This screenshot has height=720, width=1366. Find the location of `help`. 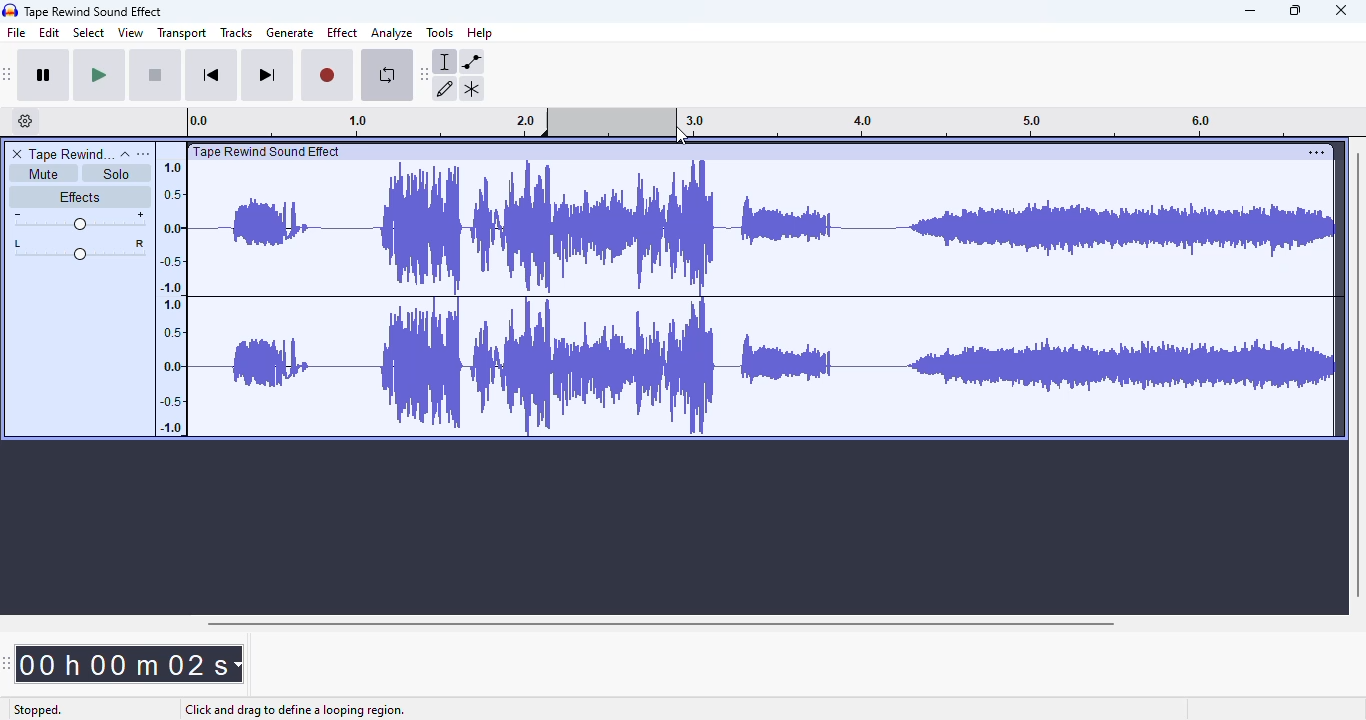

help is located at coordinates (480, 33).